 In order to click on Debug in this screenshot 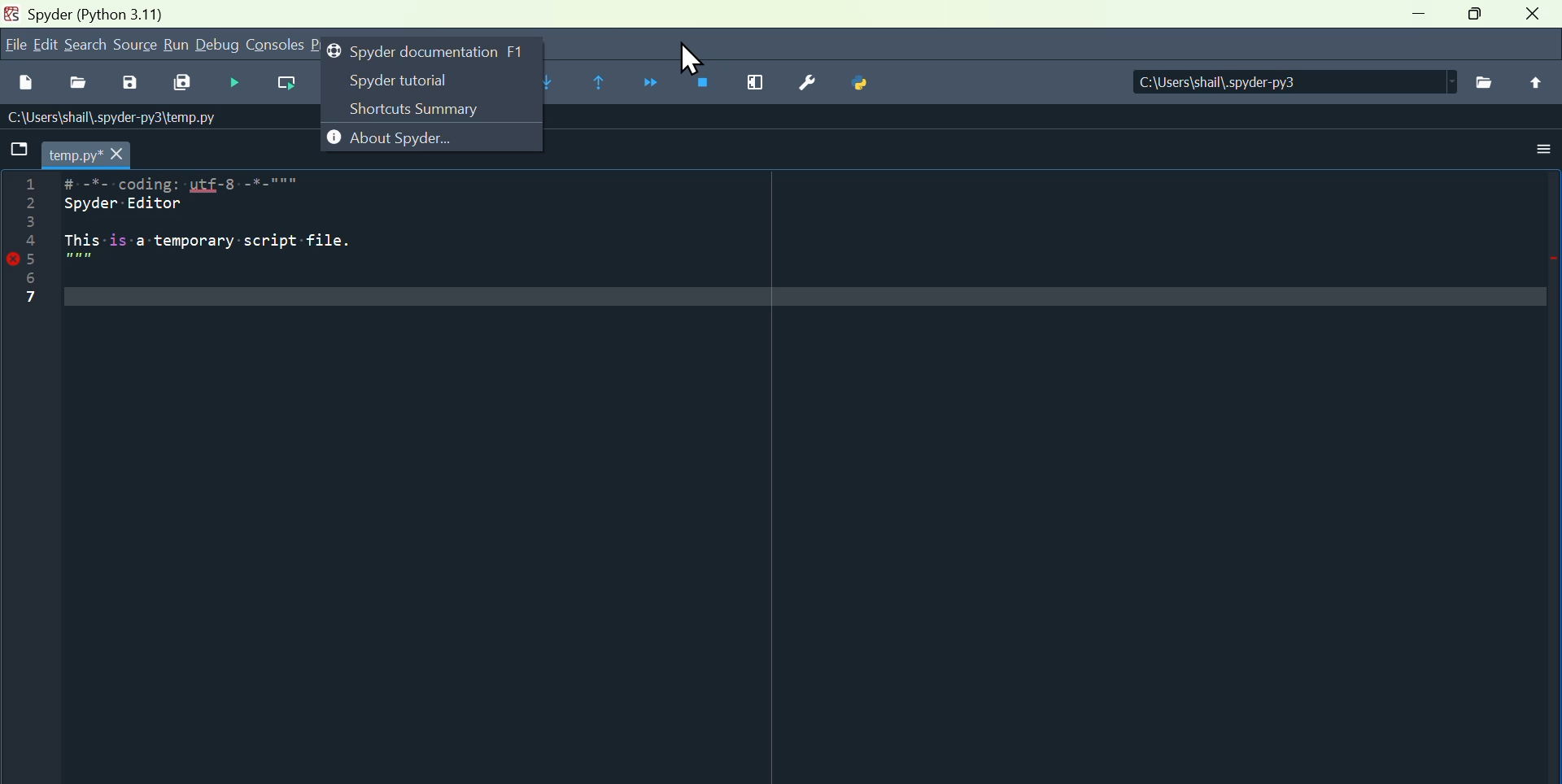, I will do `click(219, 44)`.